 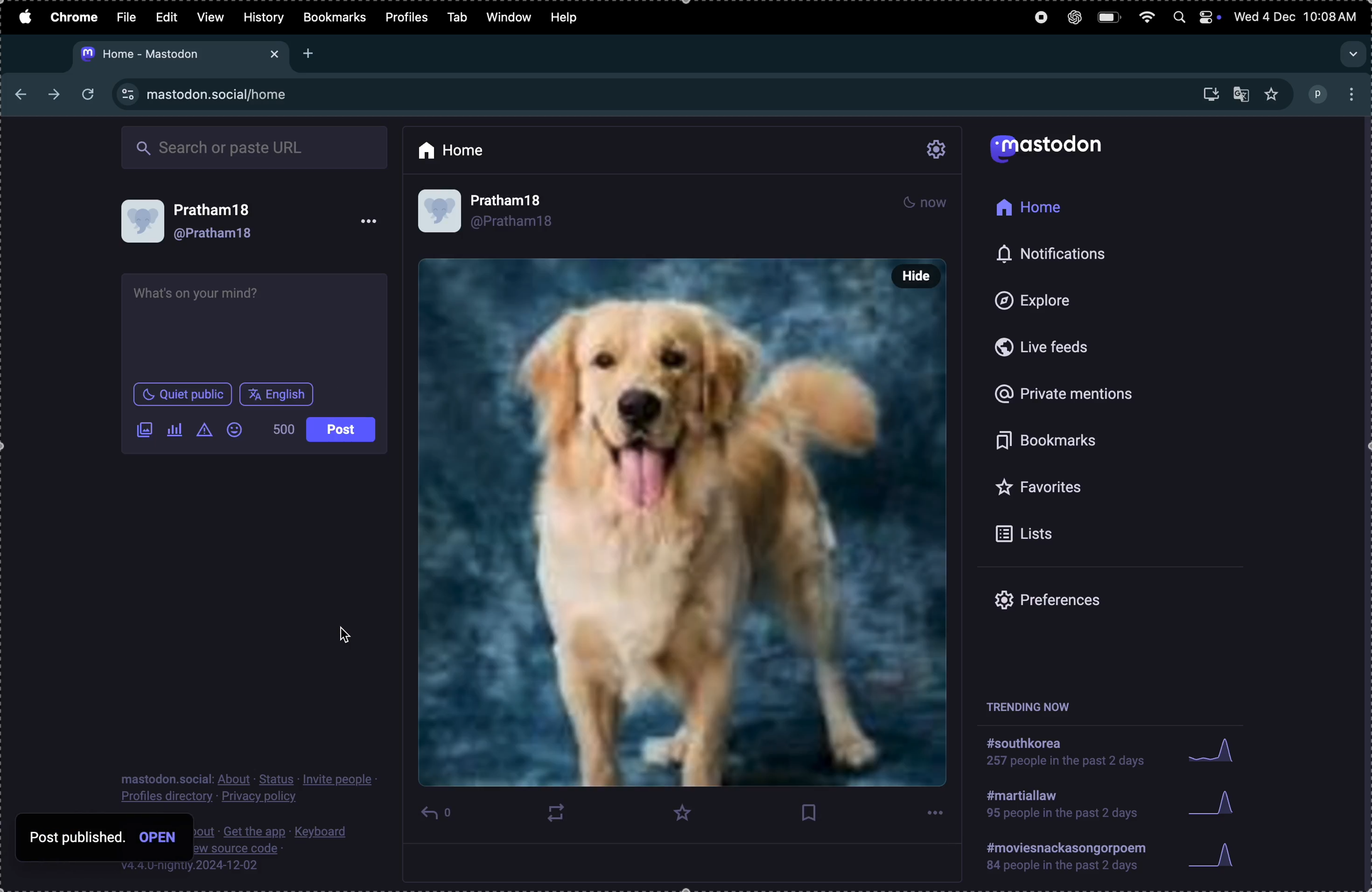 What do you see at coordinates (238, 429) in the screenshot?
I see `Emoji` at bounding box center [238, 429].